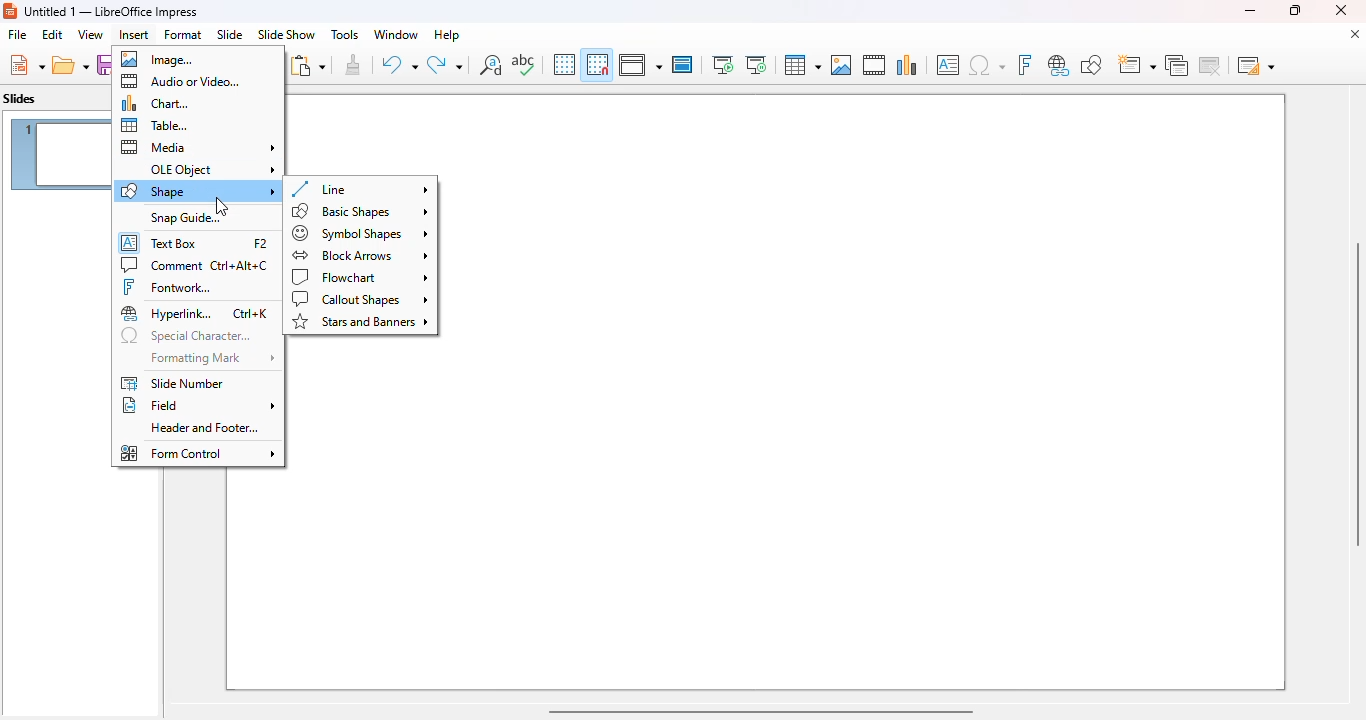 This screenshot has width=1366, height=720. Describe the element at coordinates (222, 206) in the screenshot. I see `cursor` at that location.